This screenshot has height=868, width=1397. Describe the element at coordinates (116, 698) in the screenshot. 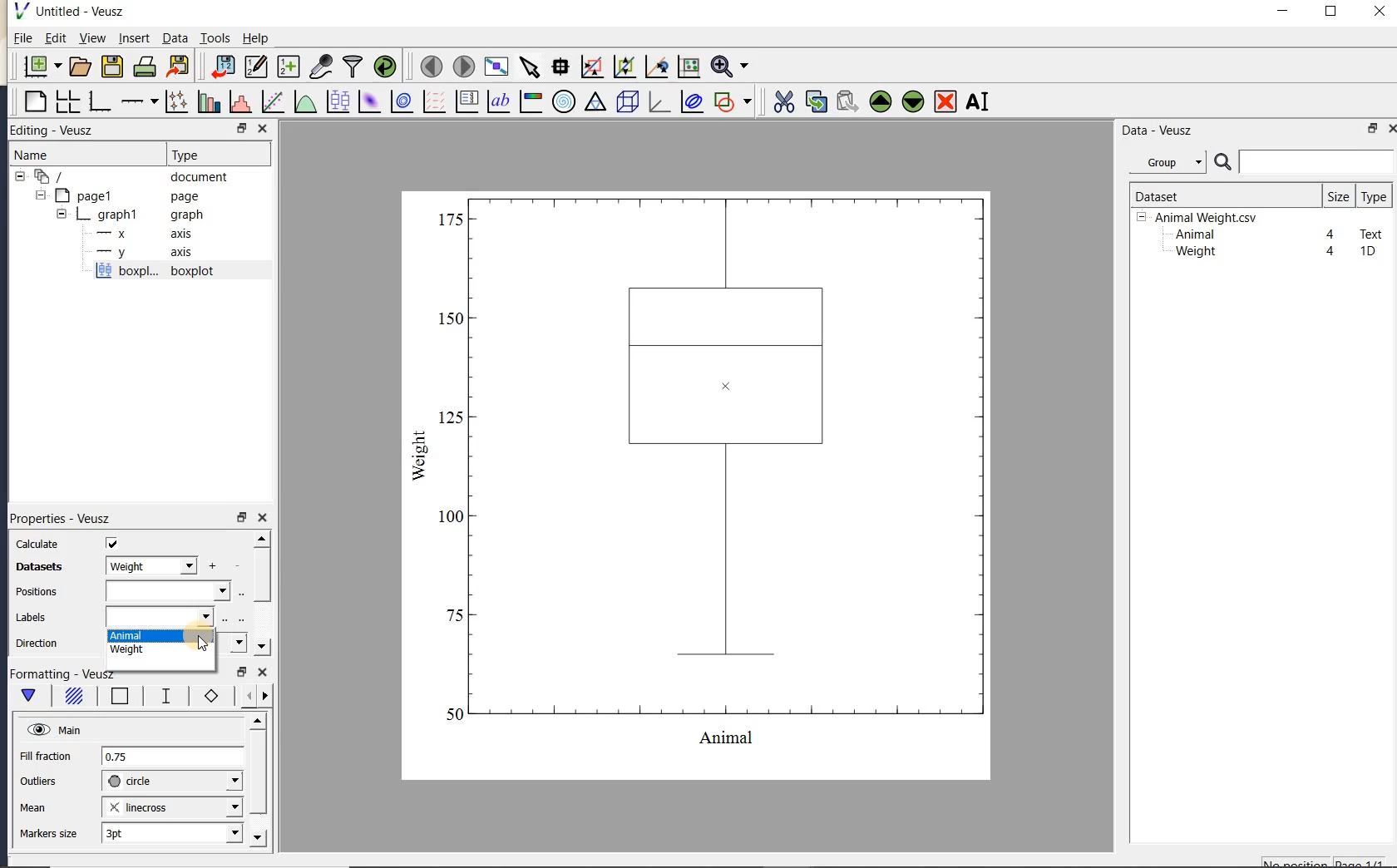

I see `box border` at that location.